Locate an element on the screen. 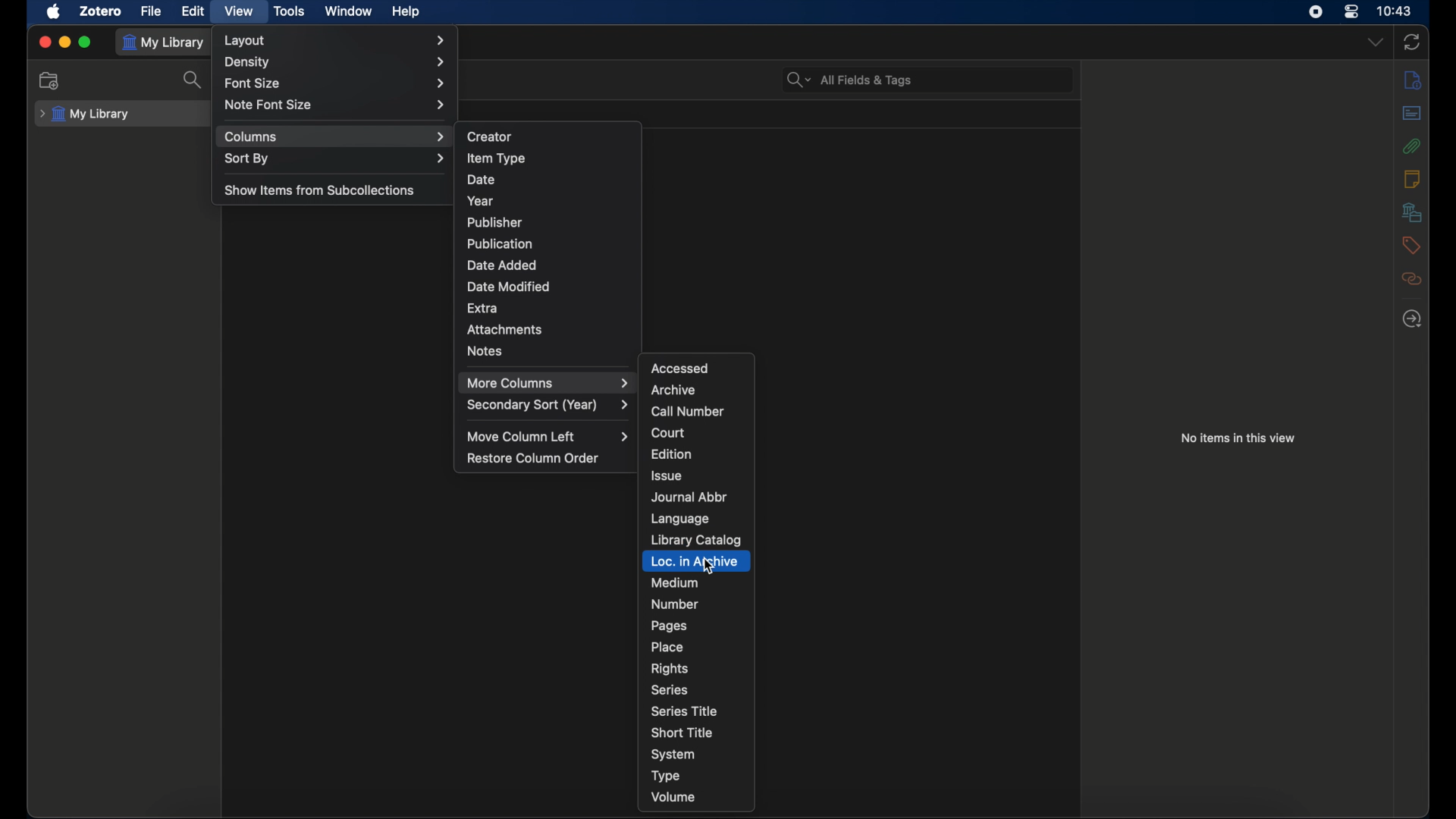  file is located at coordinates (153, 11).